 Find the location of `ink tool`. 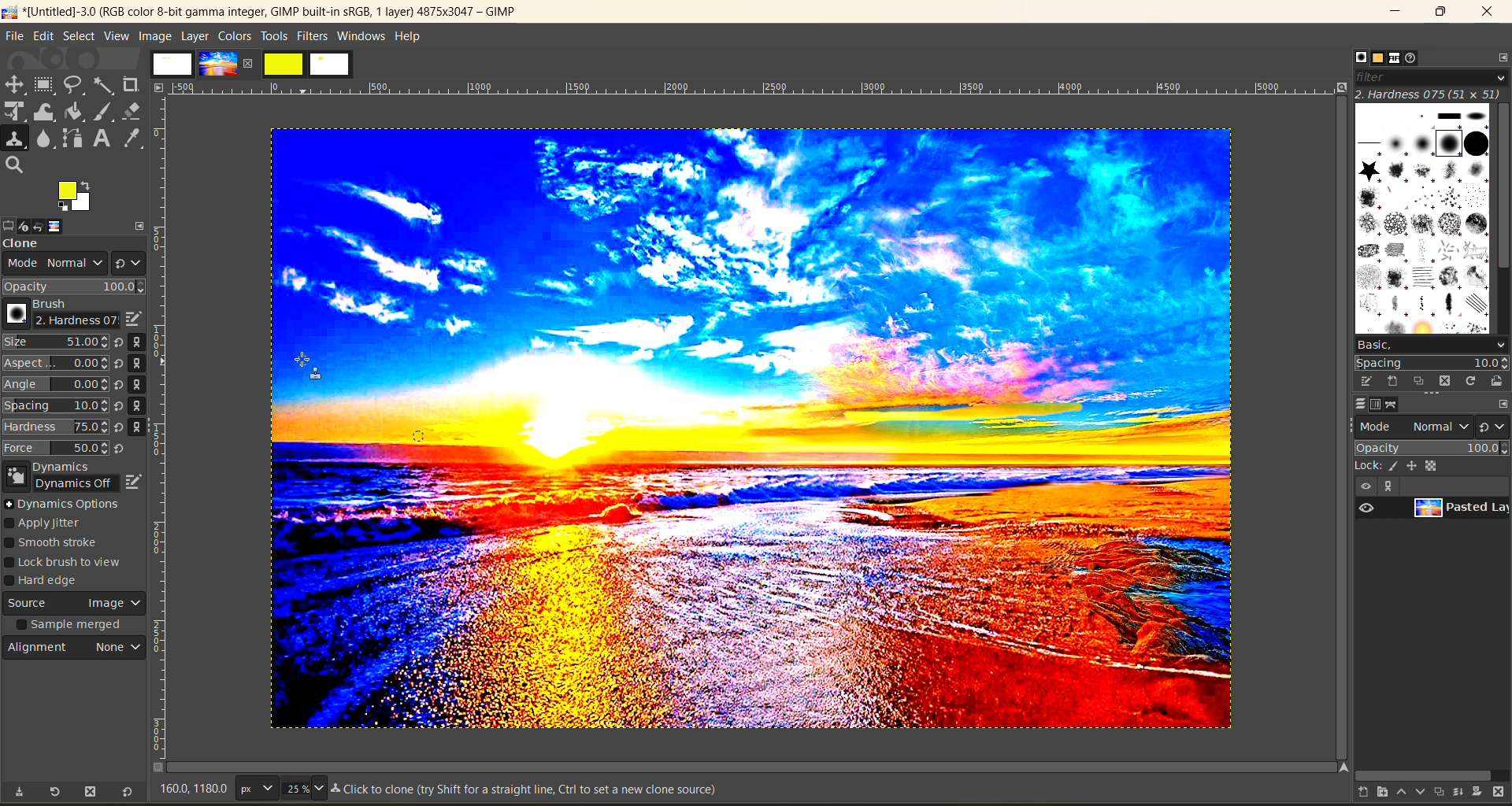

ink tool is located at coordinates (106, 112).